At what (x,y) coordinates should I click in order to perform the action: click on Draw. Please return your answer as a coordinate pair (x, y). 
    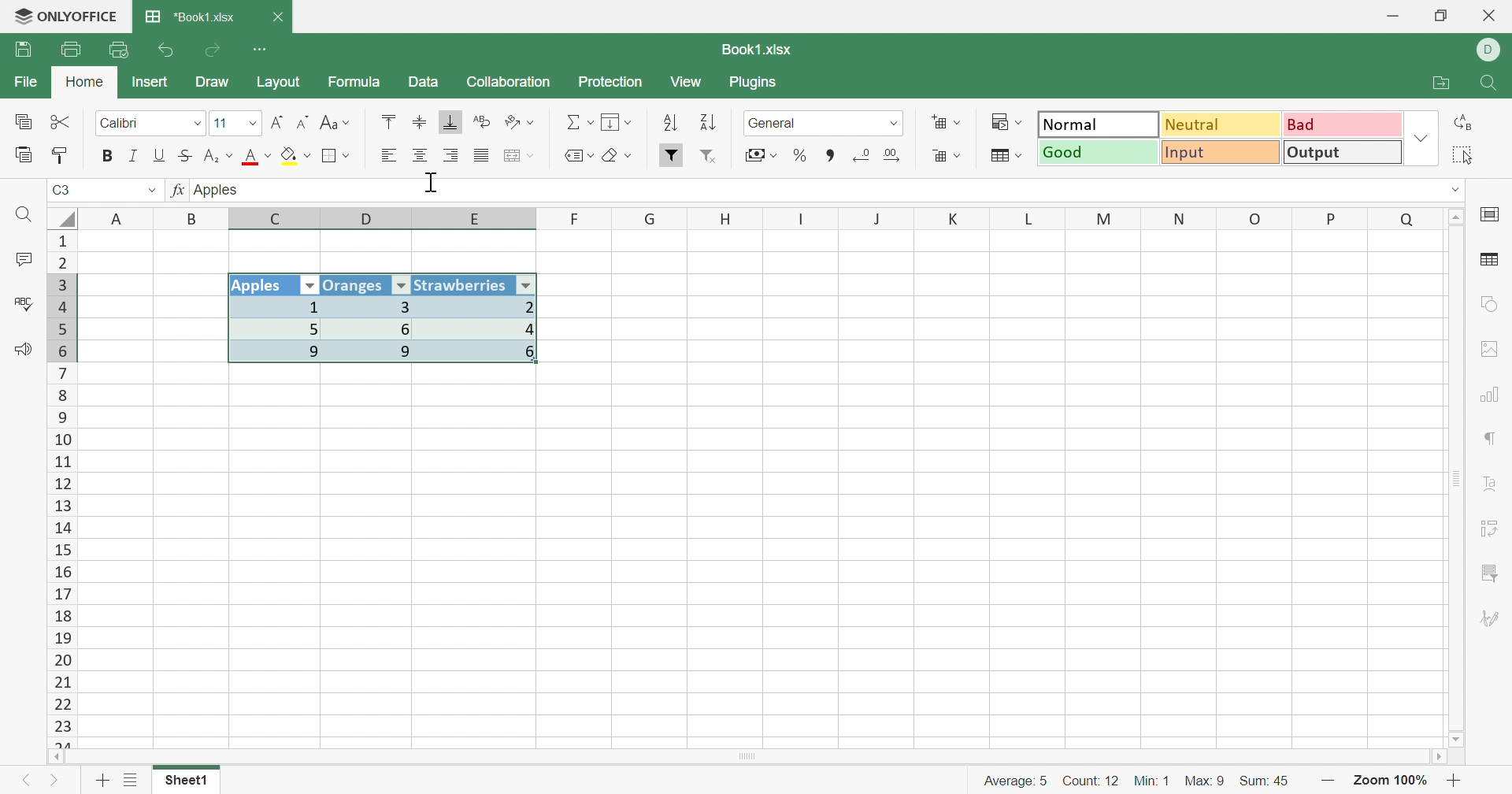
    Looking at the image, I should click on (218, 83).